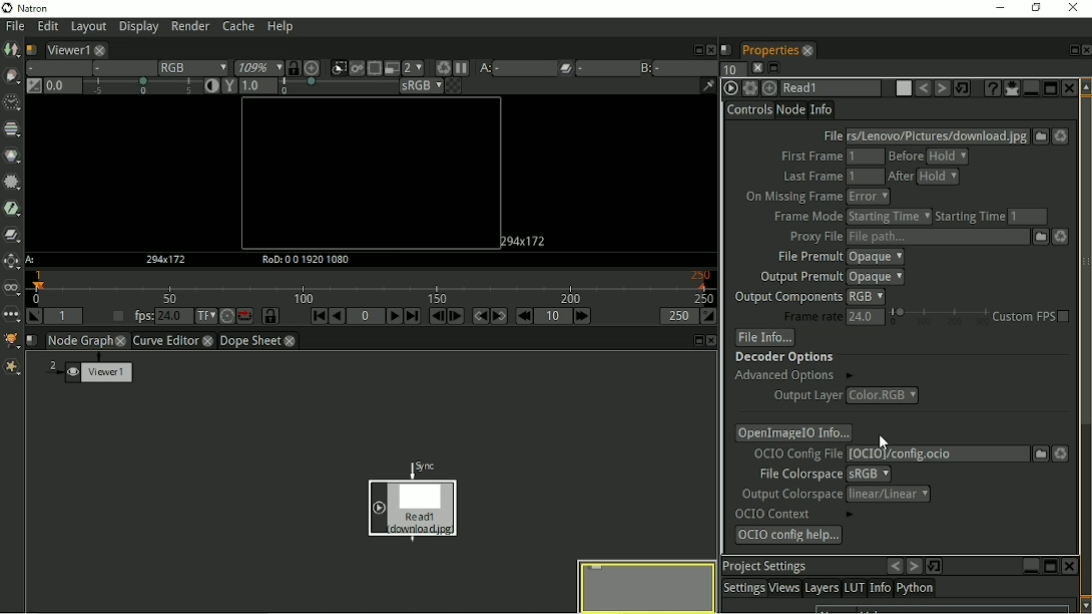 The height and width of the screenshot is (614, 1092). I want to click on Proxy mode, so click(387, 67).